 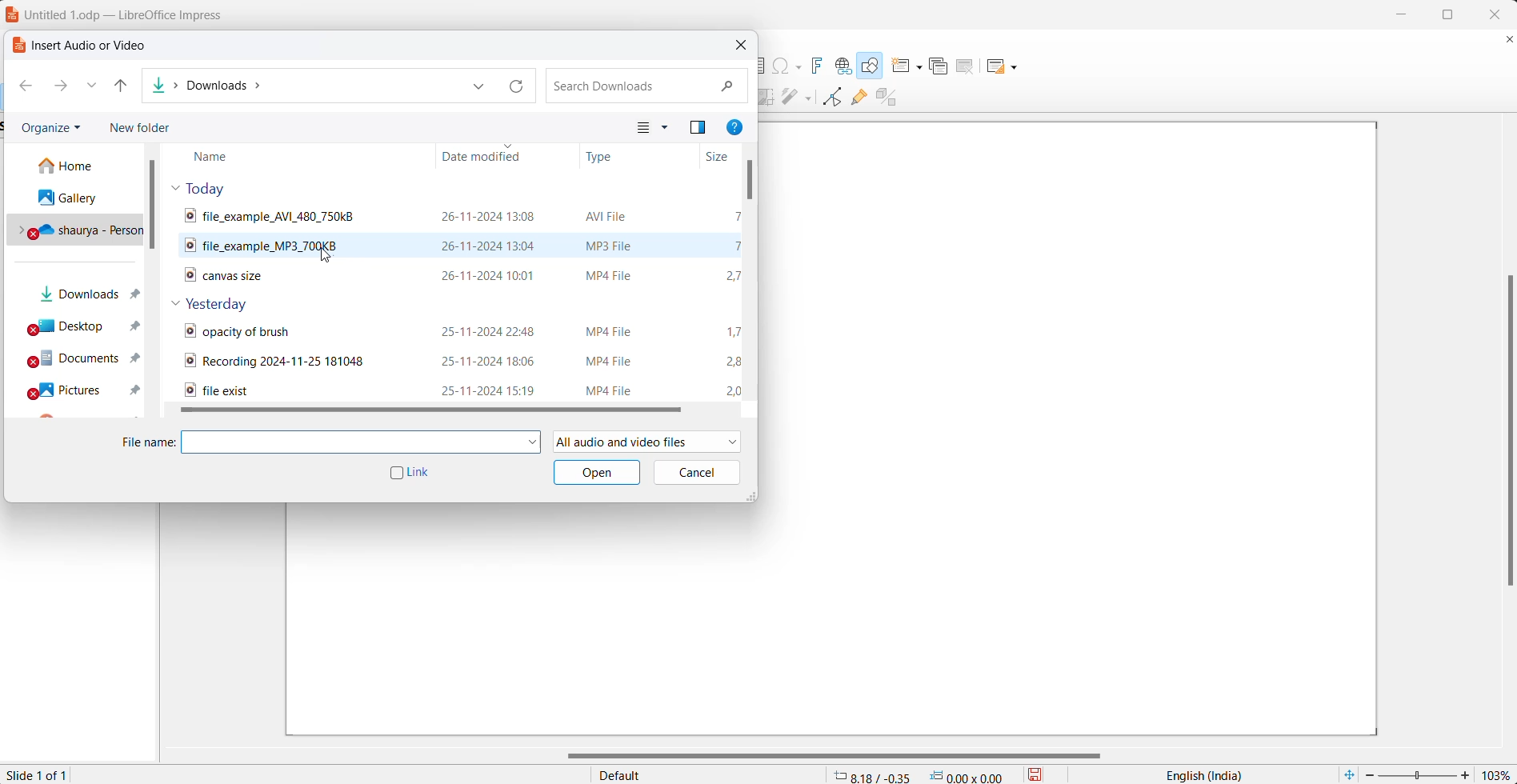 I want to click on cancel, so click(x=698, y=471).